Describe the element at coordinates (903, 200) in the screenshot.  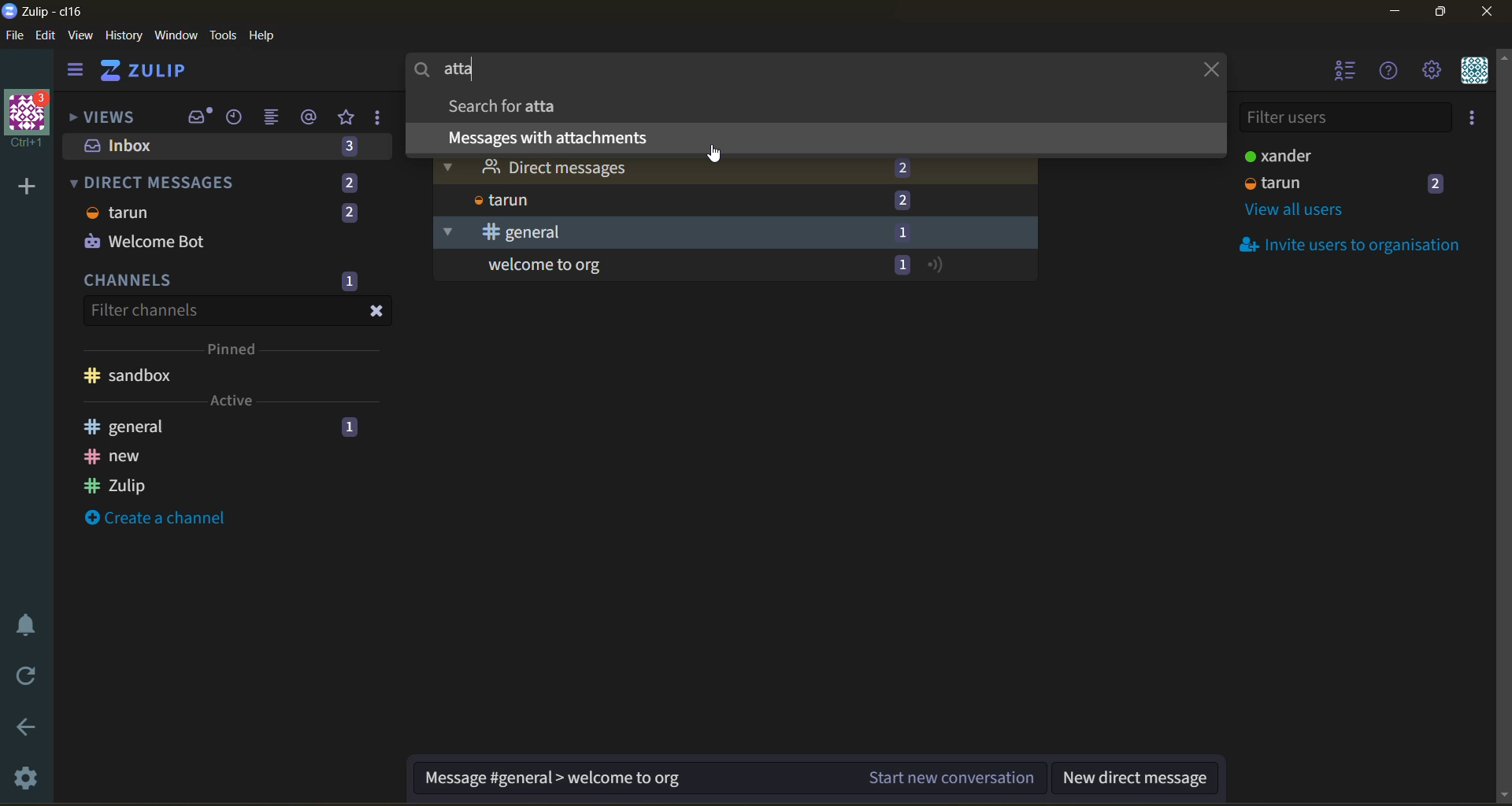
I see `2` at that location.